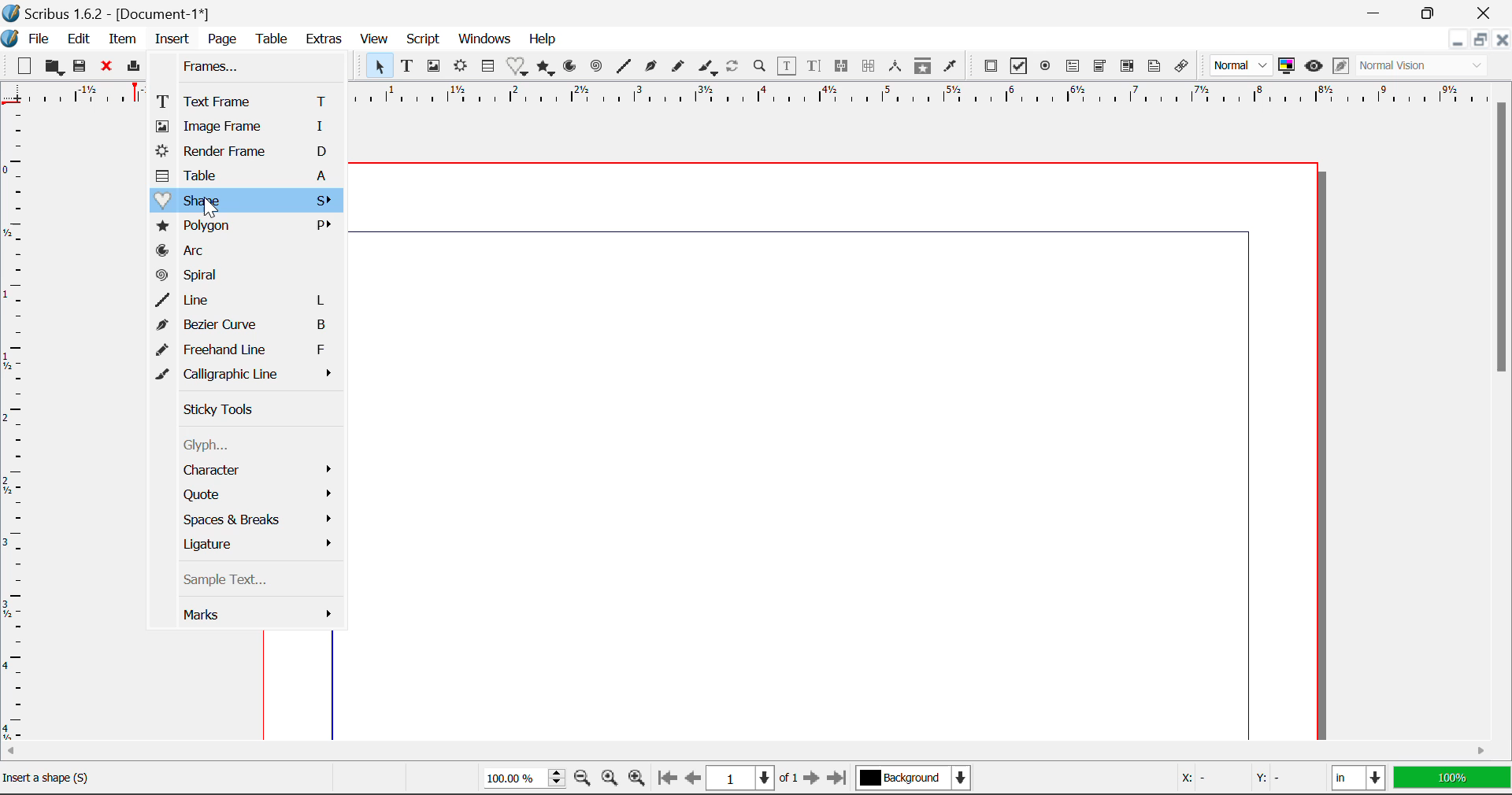 The image size is (1512, 795). Describe the element at coordinates (39, 39) in the screenshot. I see `File` at that location.